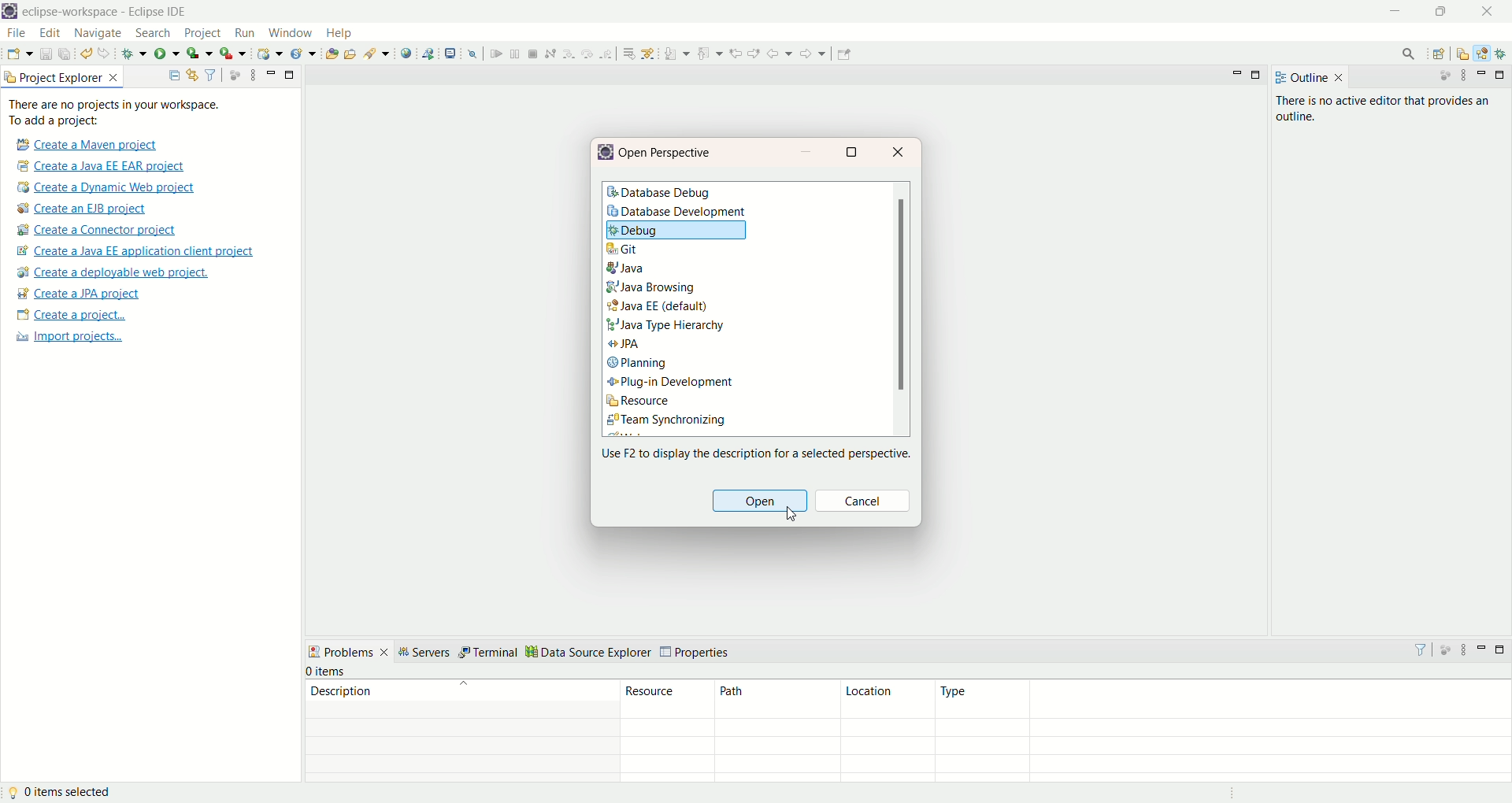 The width and height of the screenshot is (1512, 803). What do you see at coordinates (1463, 649) in the screenshot?
I see `view menu` at bounding box center [1463, 649].